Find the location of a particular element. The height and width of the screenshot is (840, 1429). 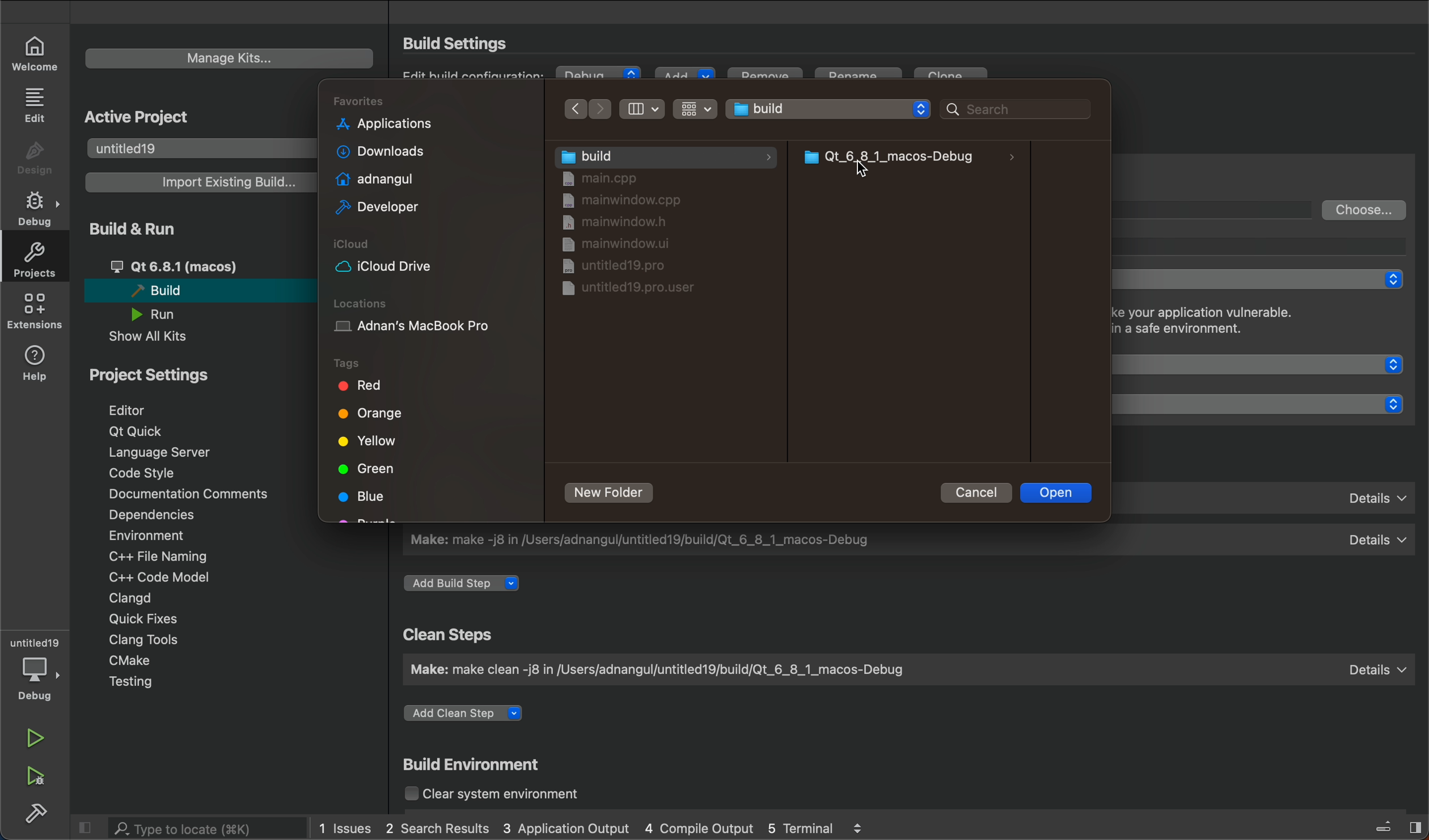

quick fixes is located at coordinates (139, 618).